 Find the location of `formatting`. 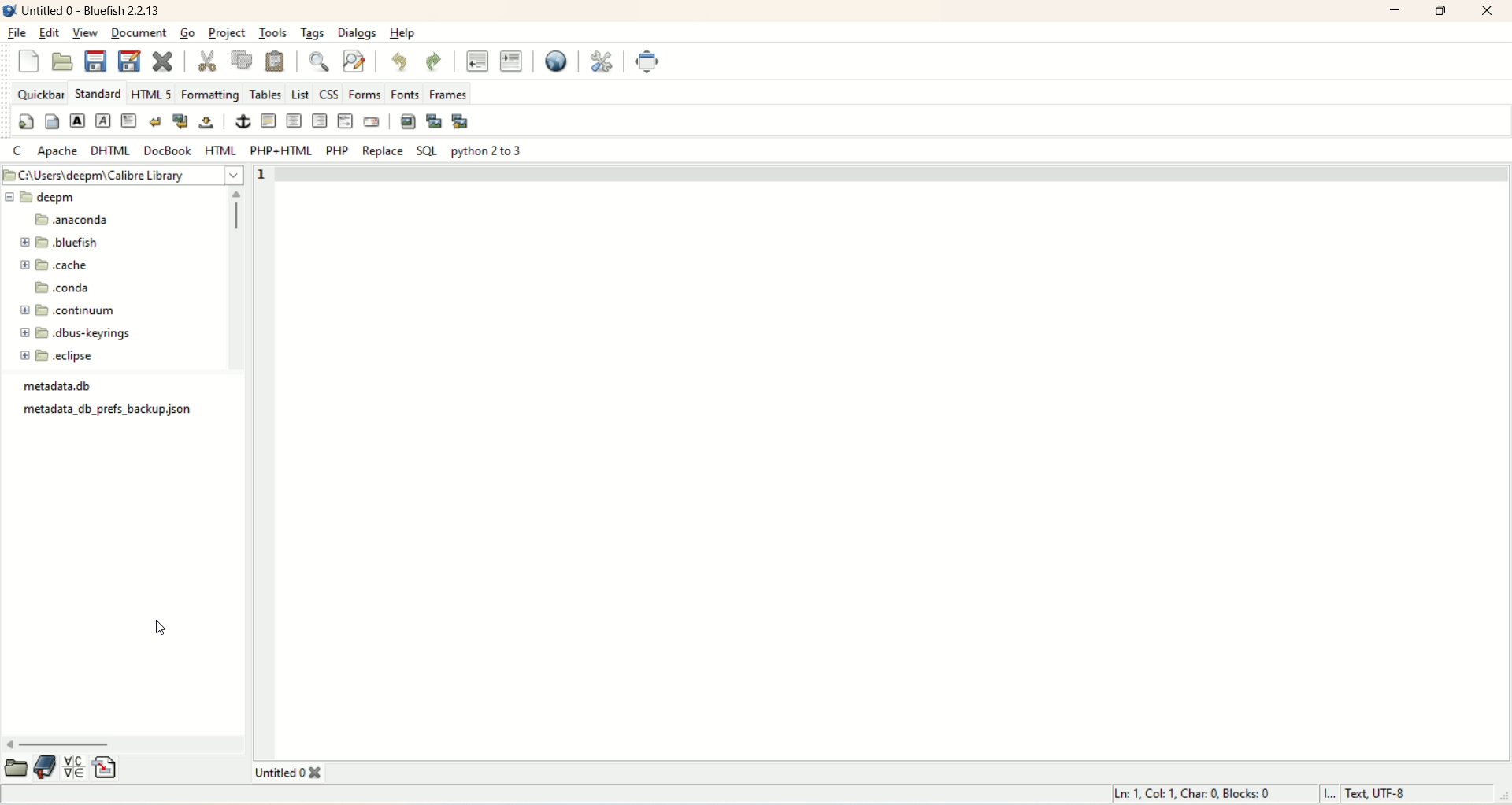

formatting is located at coordinates (209, 95).